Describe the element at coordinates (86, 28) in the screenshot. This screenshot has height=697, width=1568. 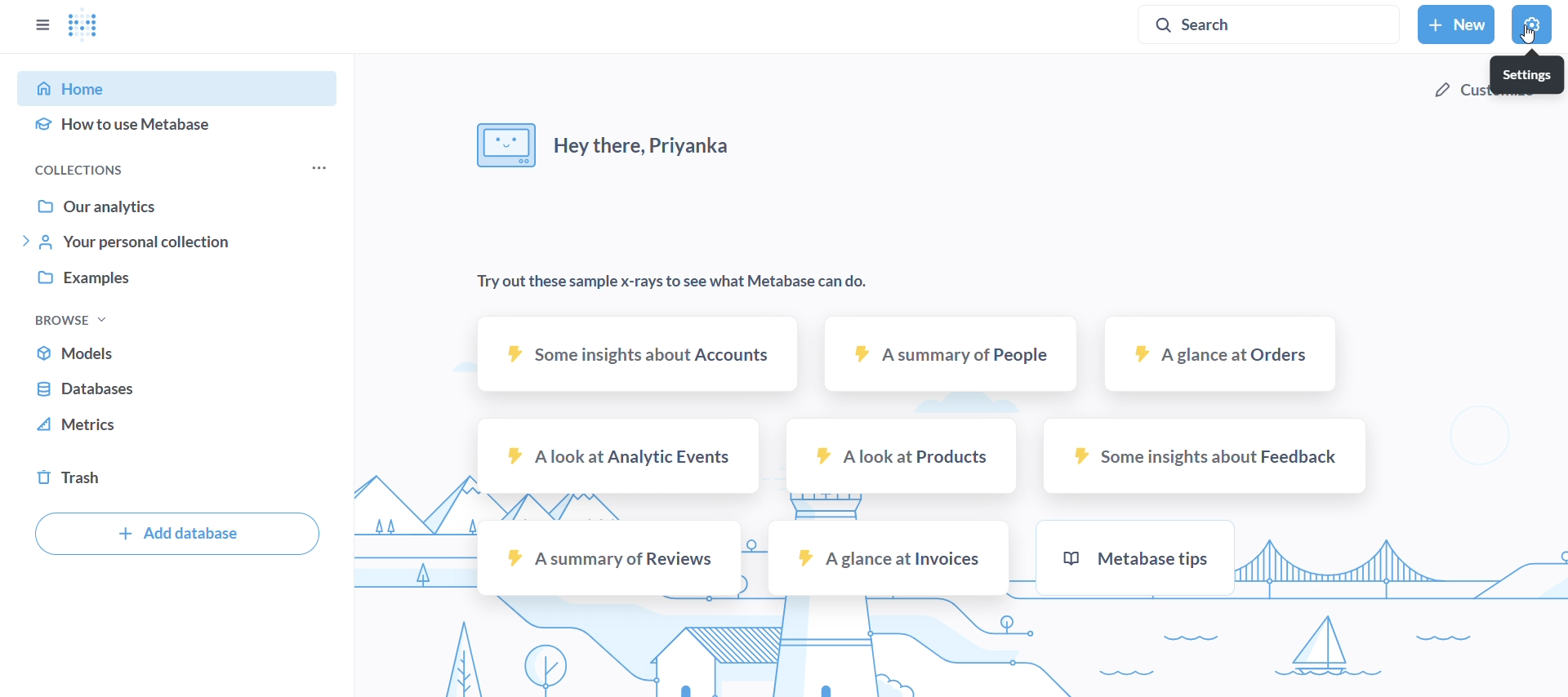
I see `logo` at that location.